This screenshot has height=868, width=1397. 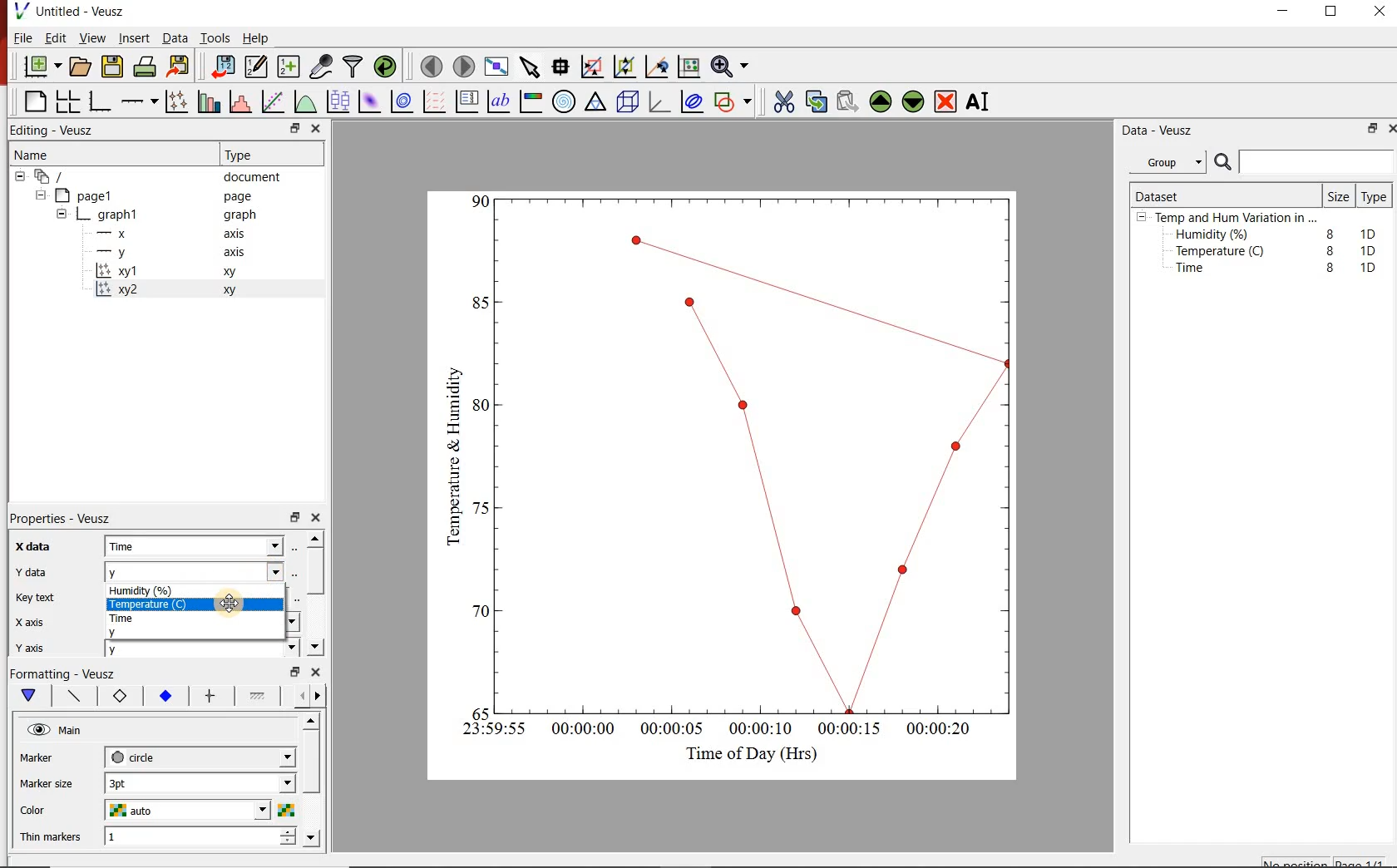 What do you see at coordinates (313, 778) in the screenshot?
I see `scroll bar` at bounding box center [313, 778].